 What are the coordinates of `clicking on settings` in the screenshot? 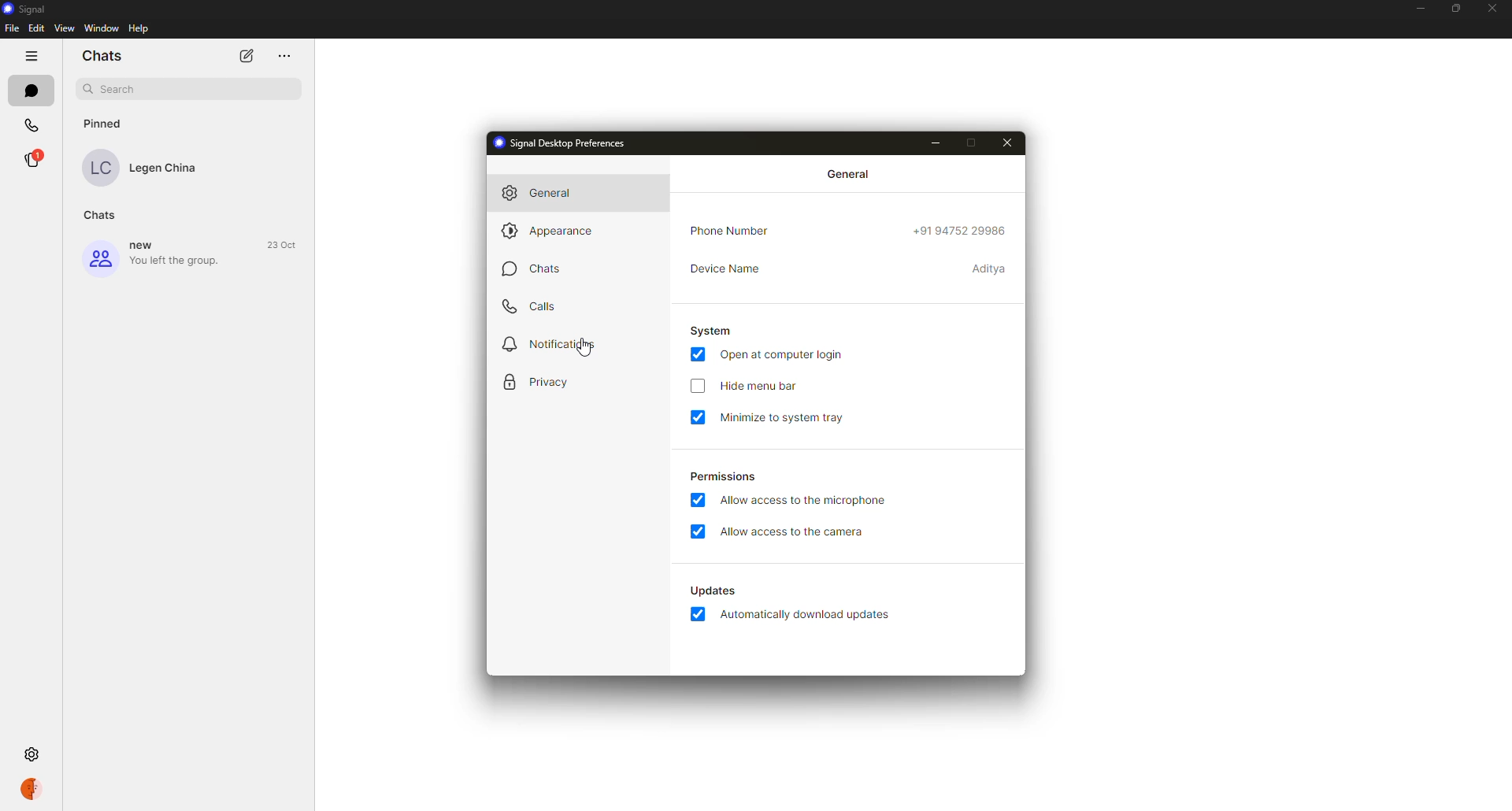 It's located at (31, 754).